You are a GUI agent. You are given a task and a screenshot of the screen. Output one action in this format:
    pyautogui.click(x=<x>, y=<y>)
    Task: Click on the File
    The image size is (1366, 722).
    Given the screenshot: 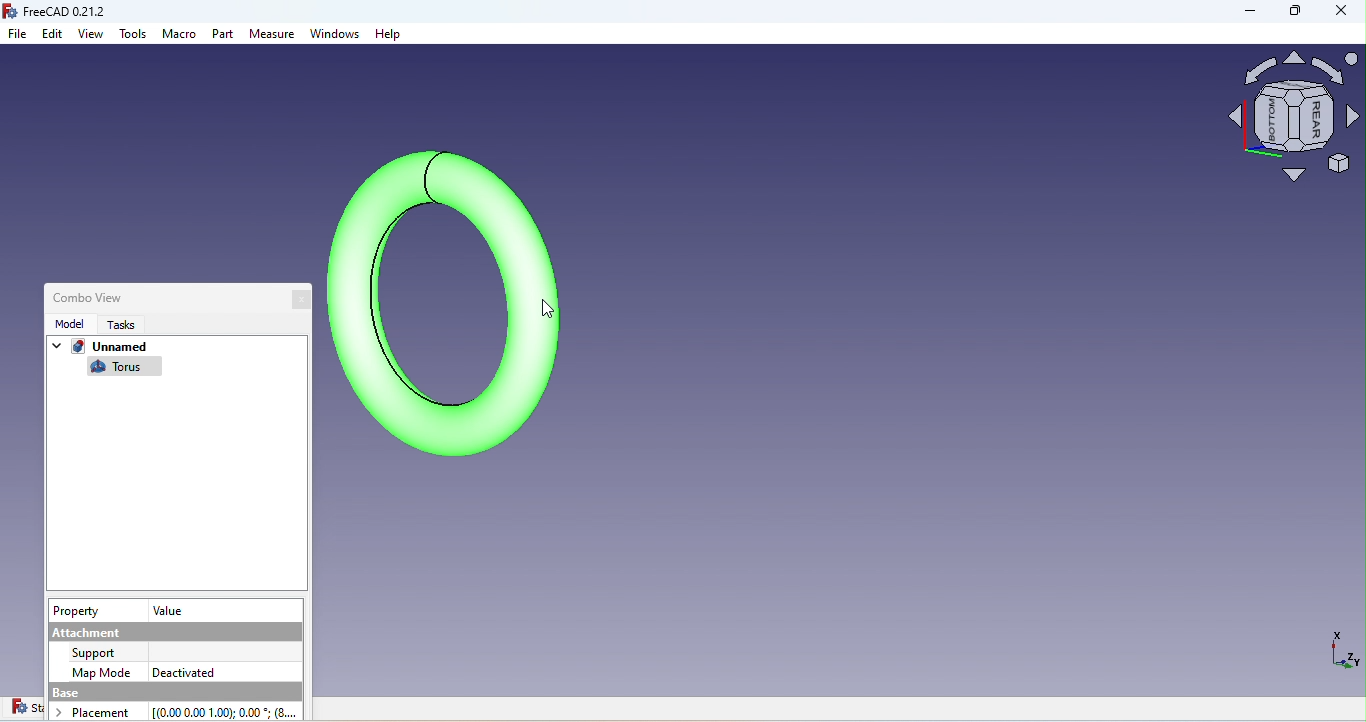 What is the action you would take?
    pyautogui.click(x=19, y=35)
    